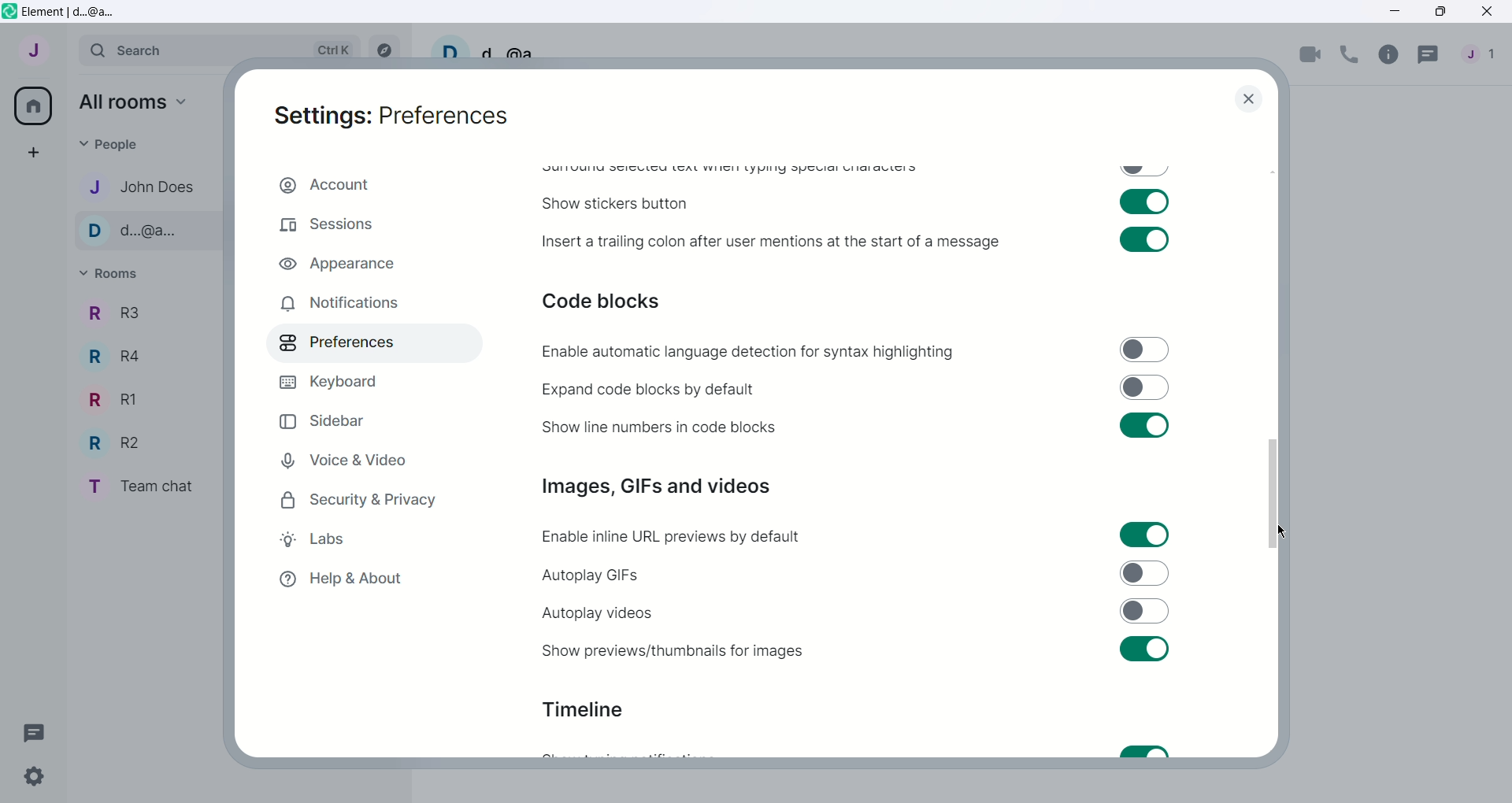 The height and width of the screenshot is (803, 1512). Describe the element at coordinates (369, 226) in the screenshot. I see `Sessions` at that location.